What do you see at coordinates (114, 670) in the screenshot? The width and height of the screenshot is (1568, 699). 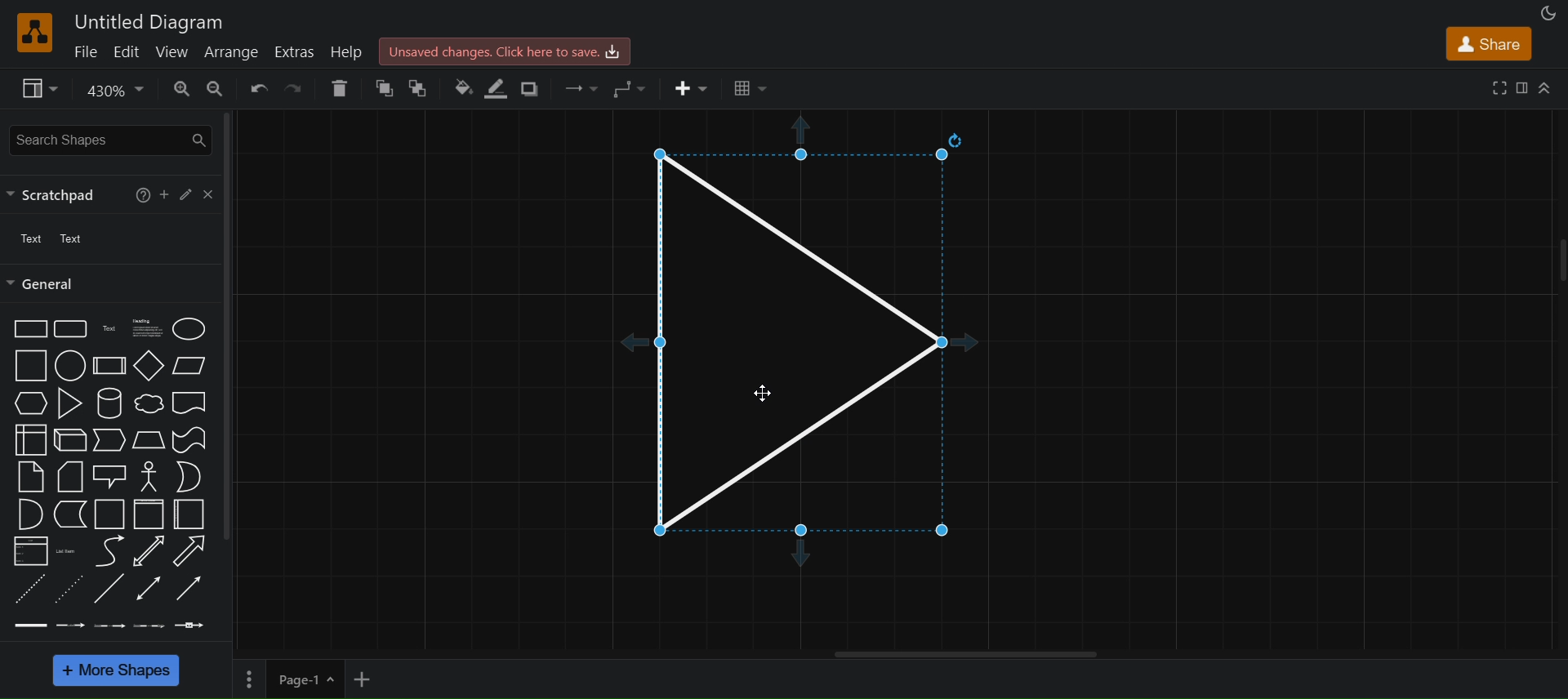 I see `more shapes` at bounding box center [114, 670].